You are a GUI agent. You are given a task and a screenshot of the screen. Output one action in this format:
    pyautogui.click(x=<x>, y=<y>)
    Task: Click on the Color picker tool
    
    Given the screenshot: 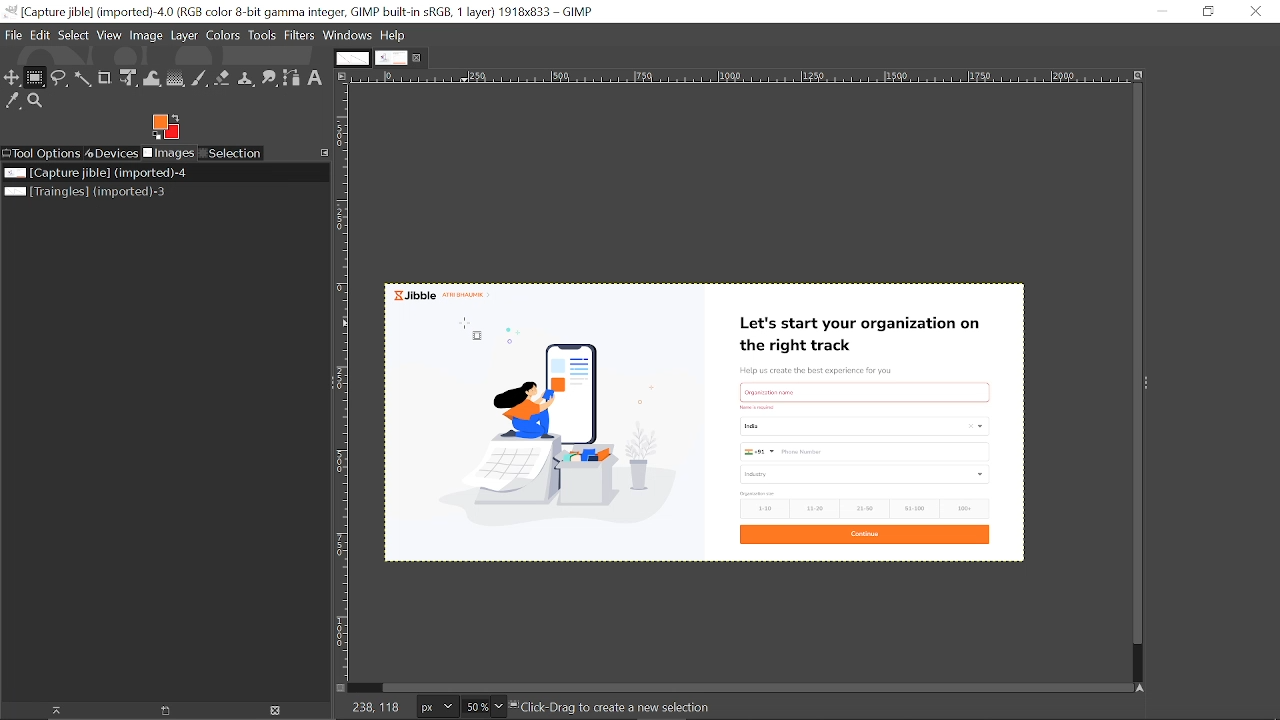 What is the action you would take?
    pyautogui.click(x=11, y=104)
    